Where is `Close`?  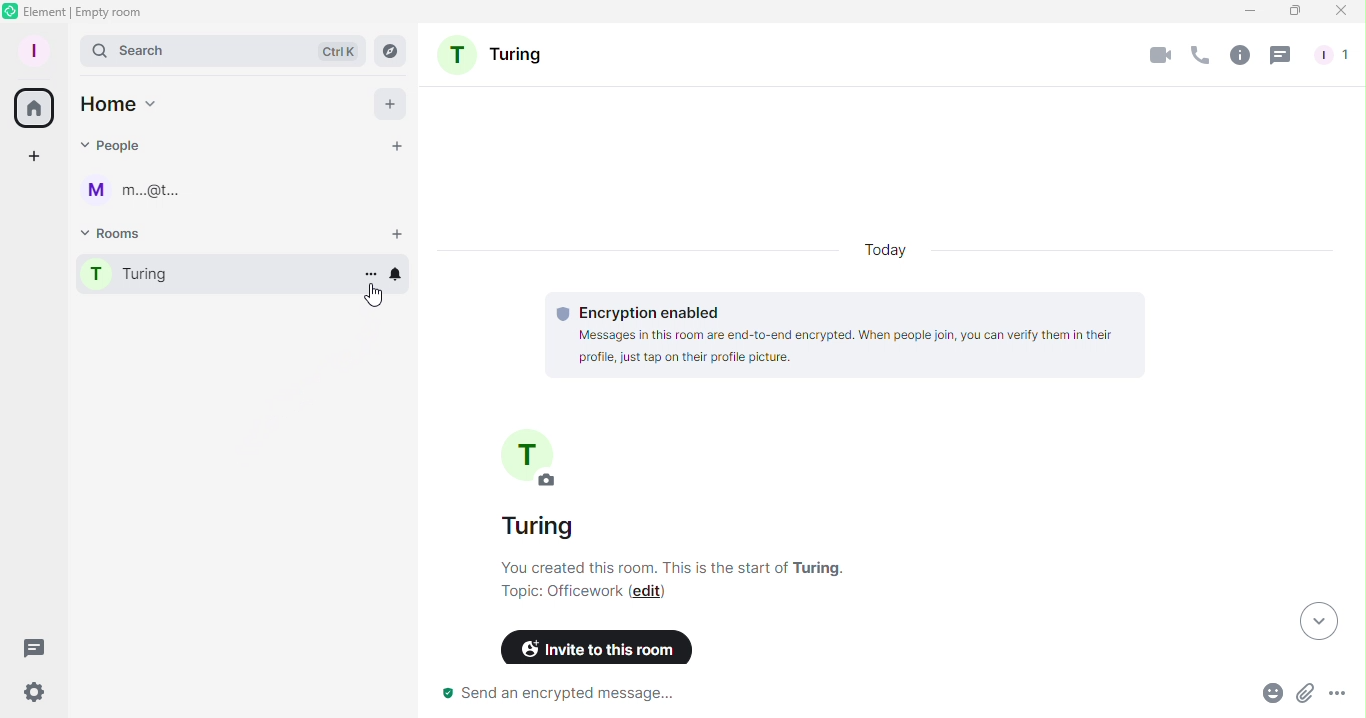
Close is located at coordinates (1337, 11).